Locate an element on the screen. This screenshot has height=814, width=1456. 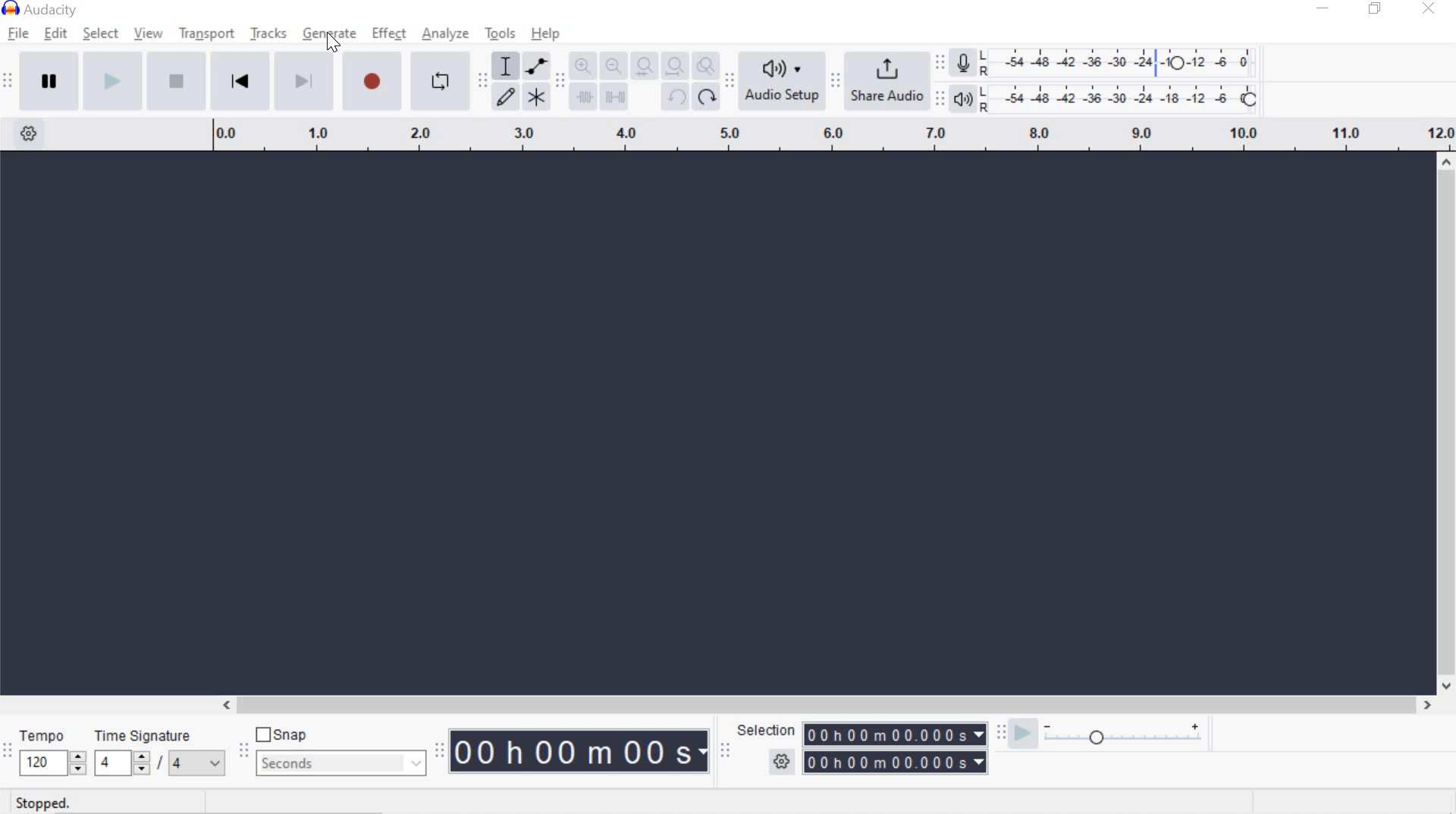
Play-at-speed toolbar is located at coordinates (1005, 734).